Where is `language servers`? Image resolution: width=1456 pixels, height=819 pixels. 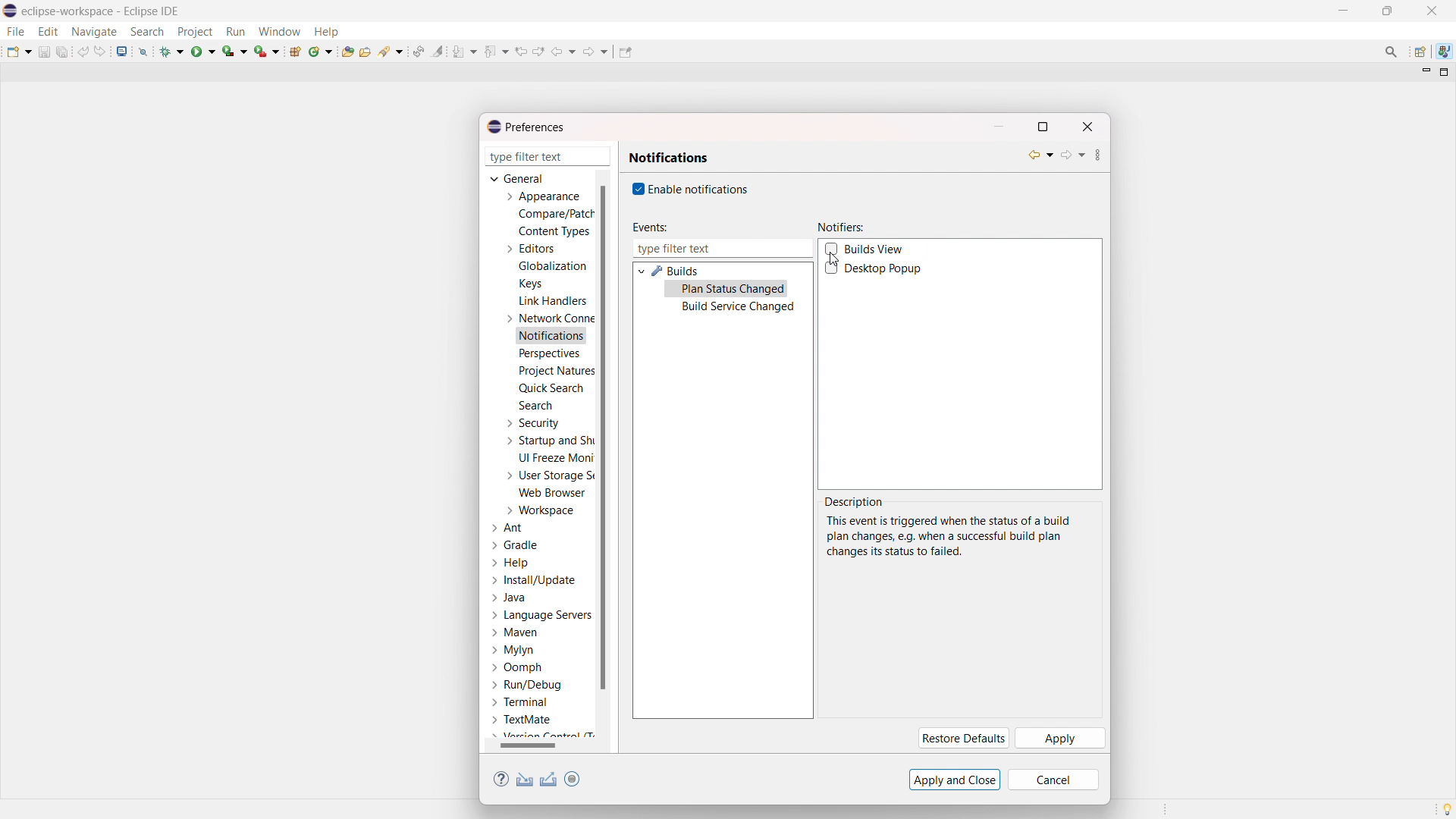 language servers is located at coordinates (541, 615).